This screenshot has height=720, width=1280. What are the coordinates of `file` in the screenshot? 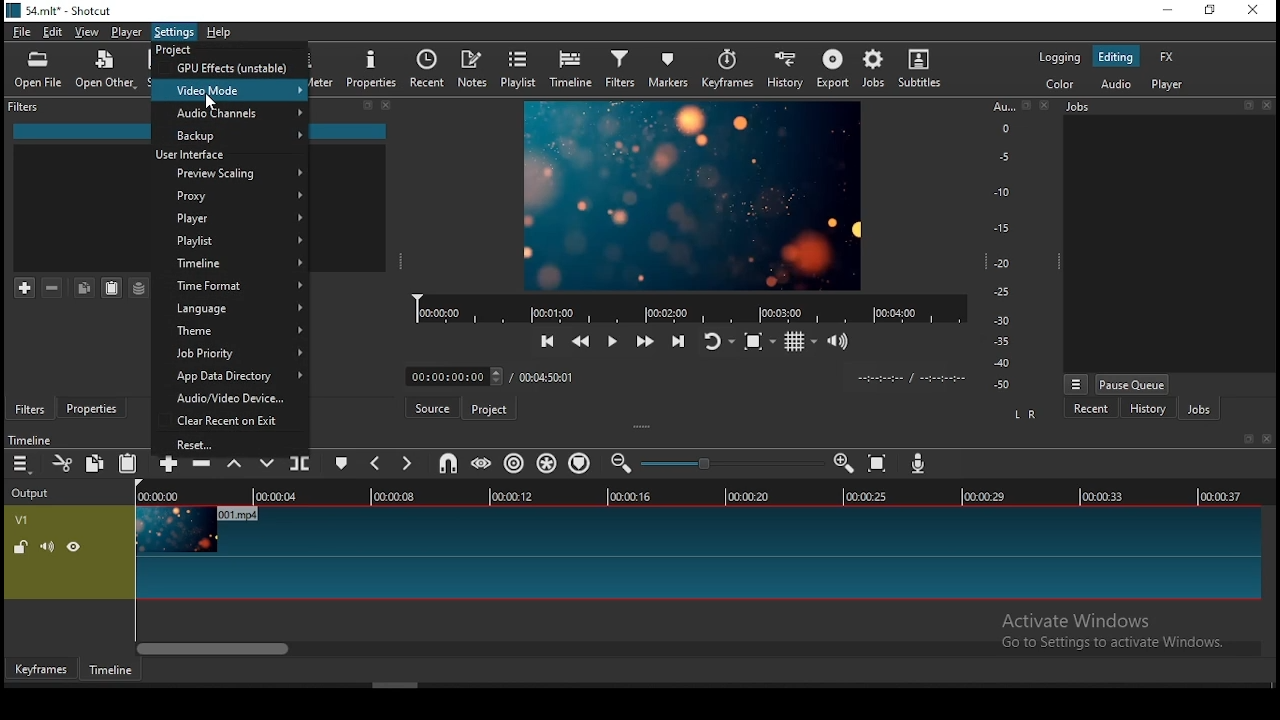 It's located at (22, 34).